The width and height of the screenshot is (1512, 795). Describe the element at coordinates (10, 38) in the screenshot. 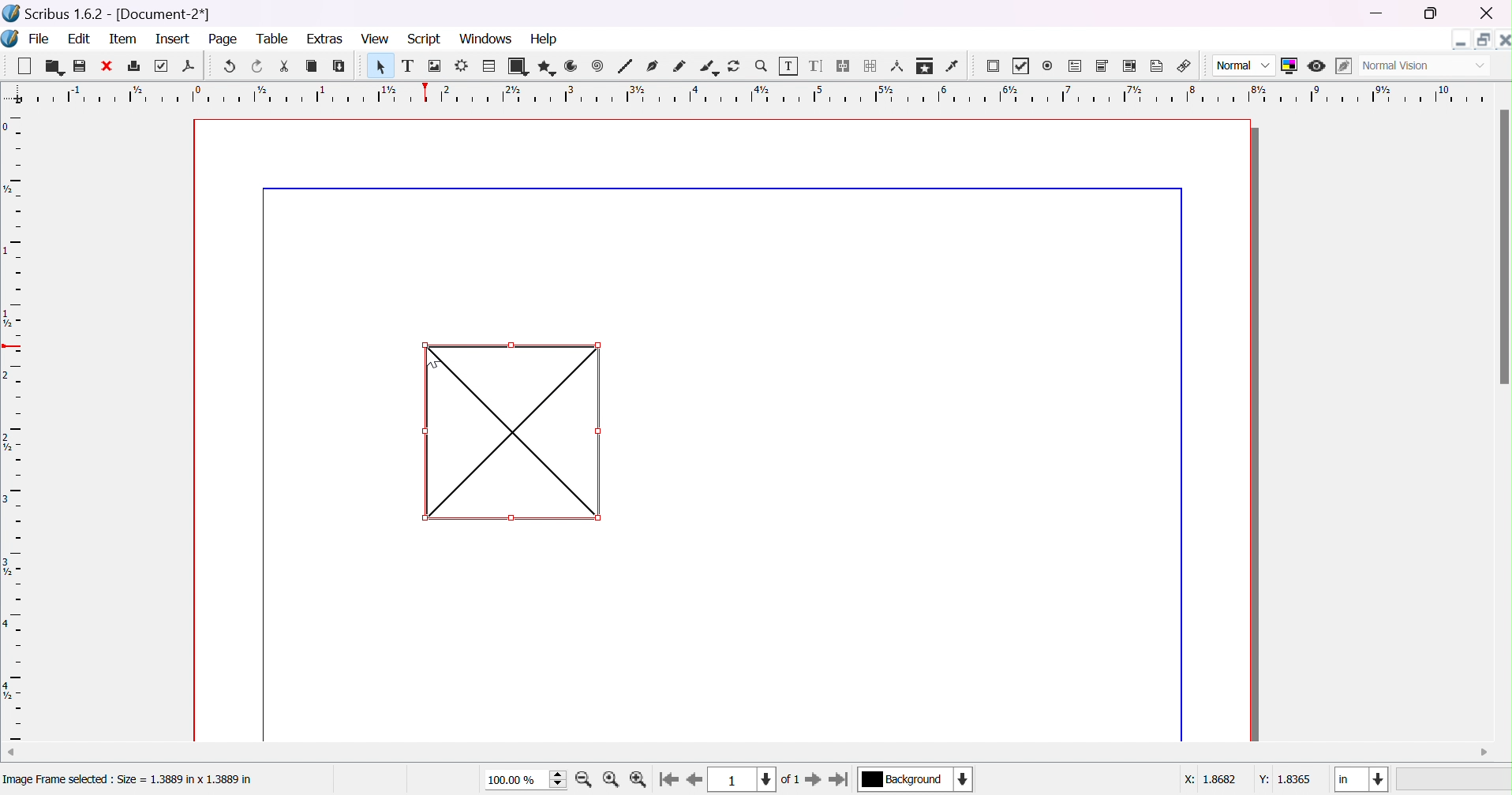

I see `scribus icon` at that location.